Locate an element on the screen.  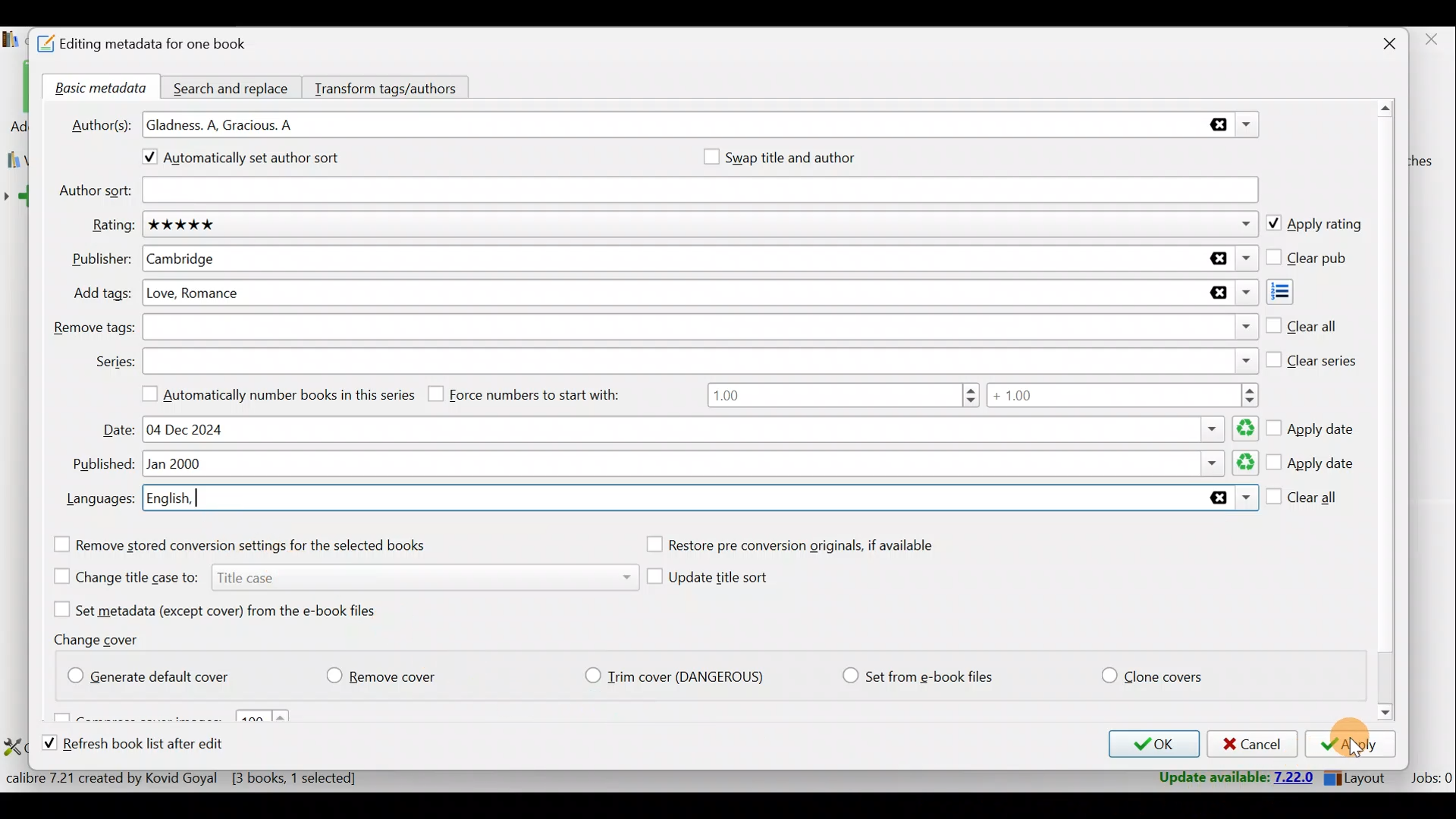
Jobs is located at coordinates (1430, 777).